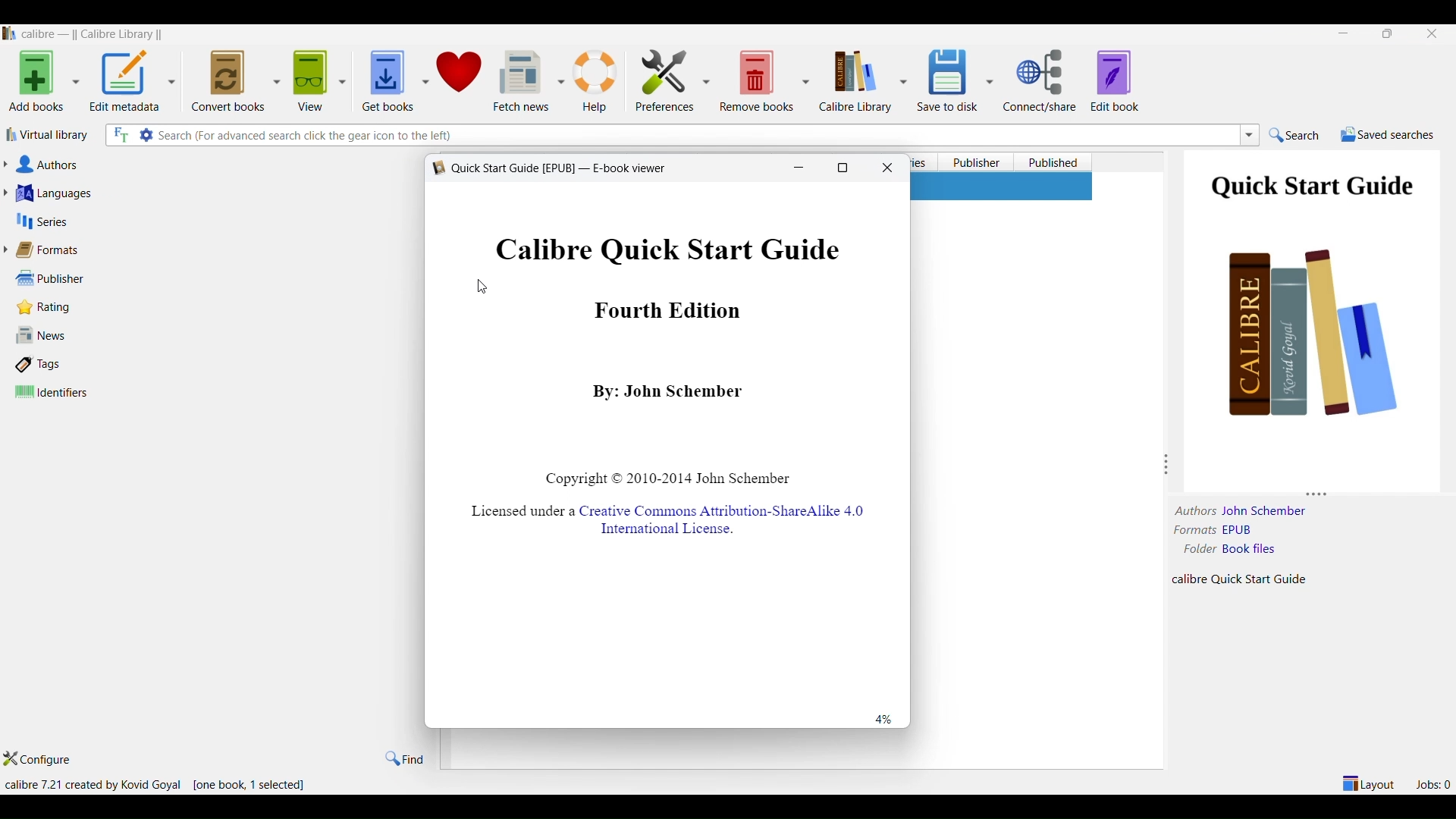  Describe the element at coordinates (902, 81) in the screenshot. I see `calibre library options dropdown button` at that location.